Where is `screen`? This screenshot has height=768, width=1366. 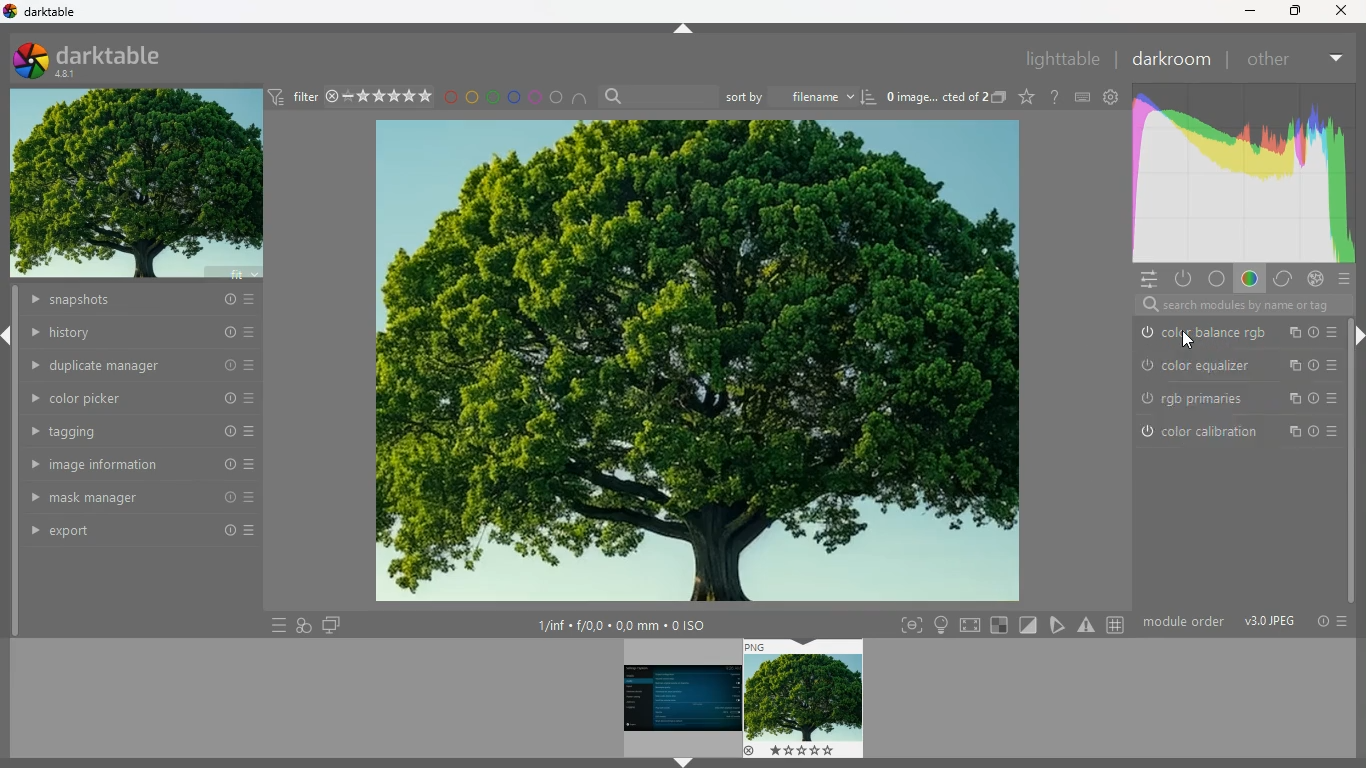
screen is located at coordinates (331, 624).